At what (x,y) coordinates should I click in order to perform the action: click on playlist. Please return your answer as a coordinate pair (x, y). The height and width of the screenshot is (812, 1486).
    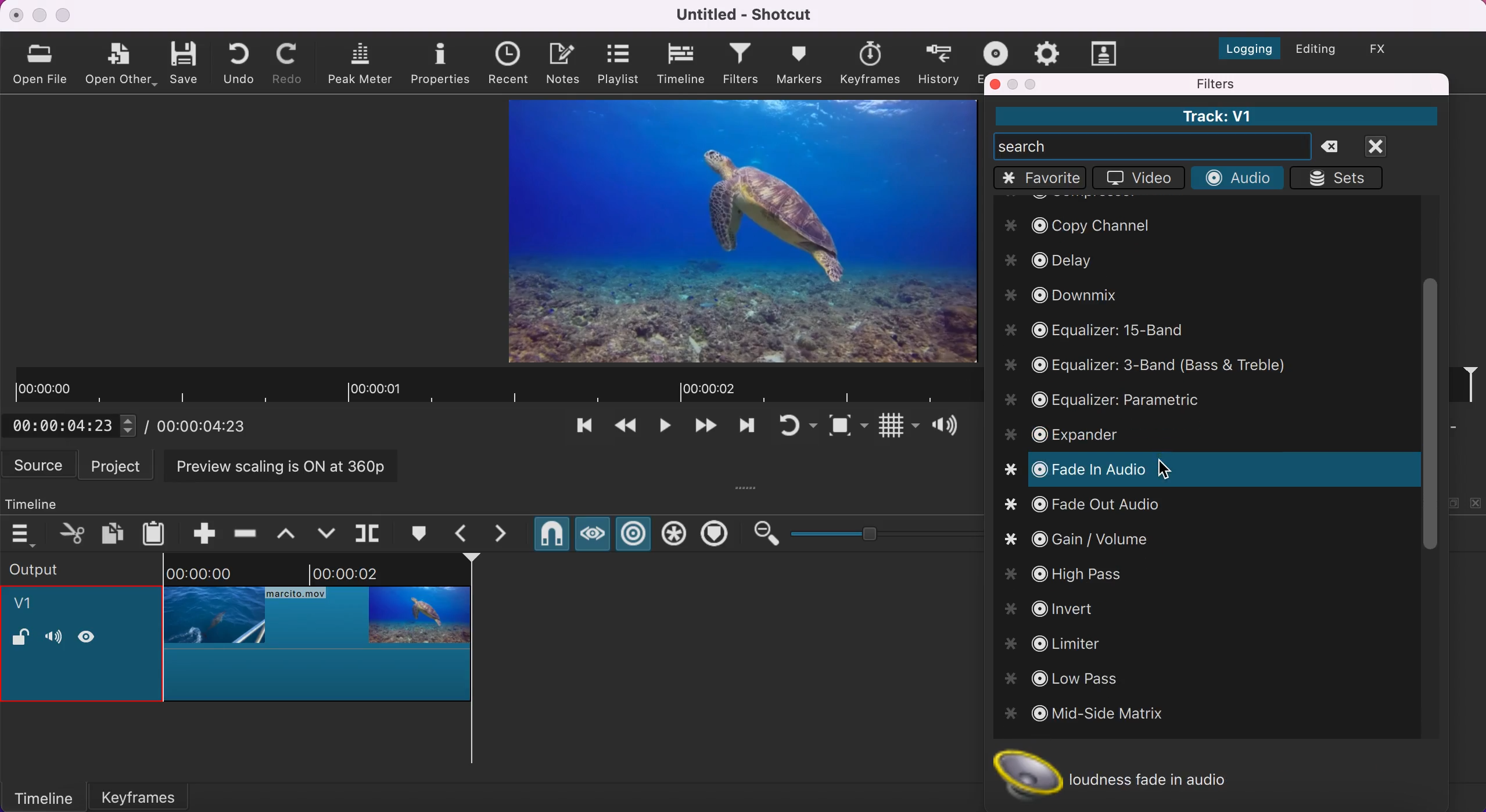
    Looking at the image, I should click on (618, 63).